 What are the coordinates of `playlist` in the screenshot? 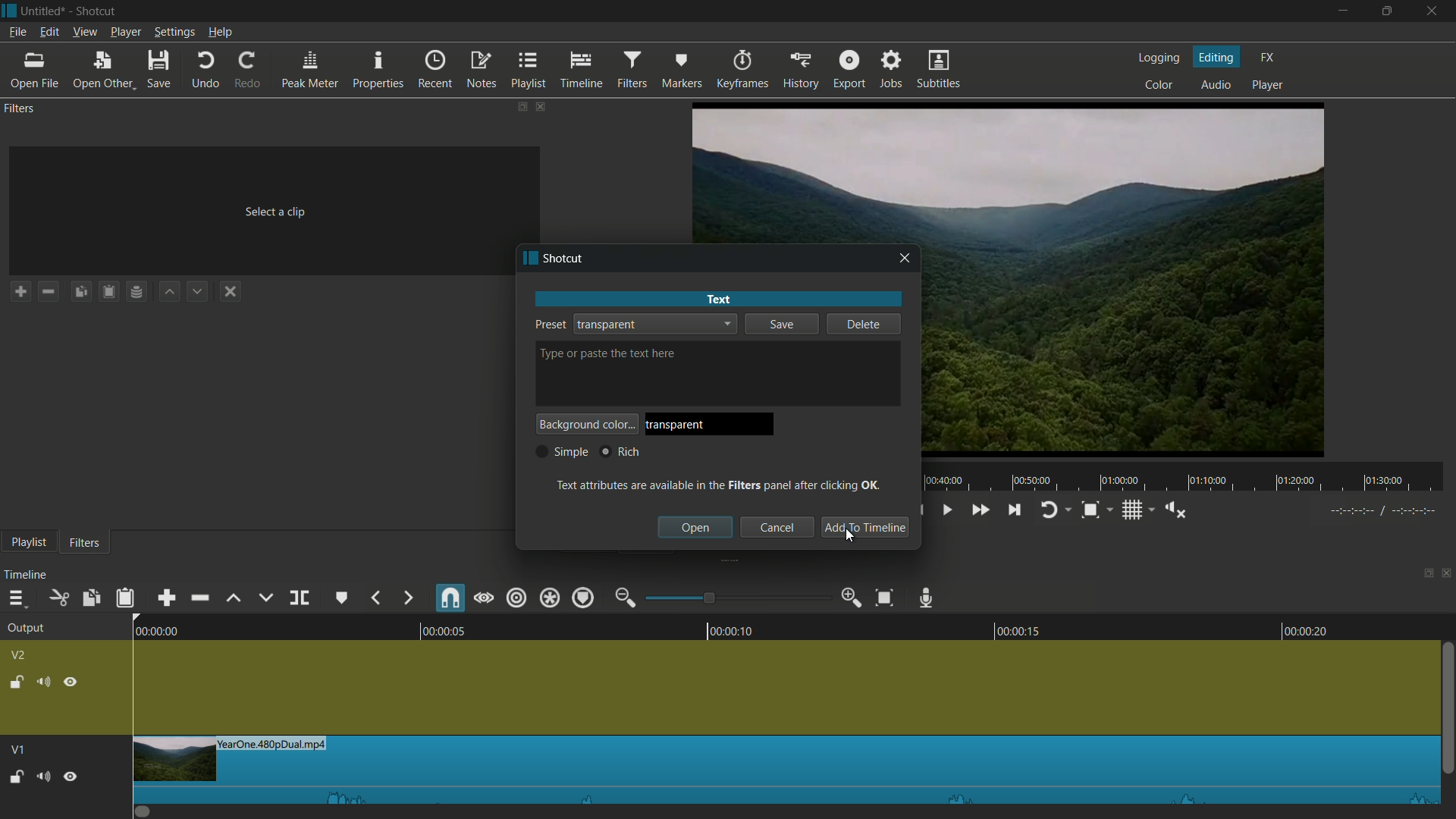 It's located at (28, 541).